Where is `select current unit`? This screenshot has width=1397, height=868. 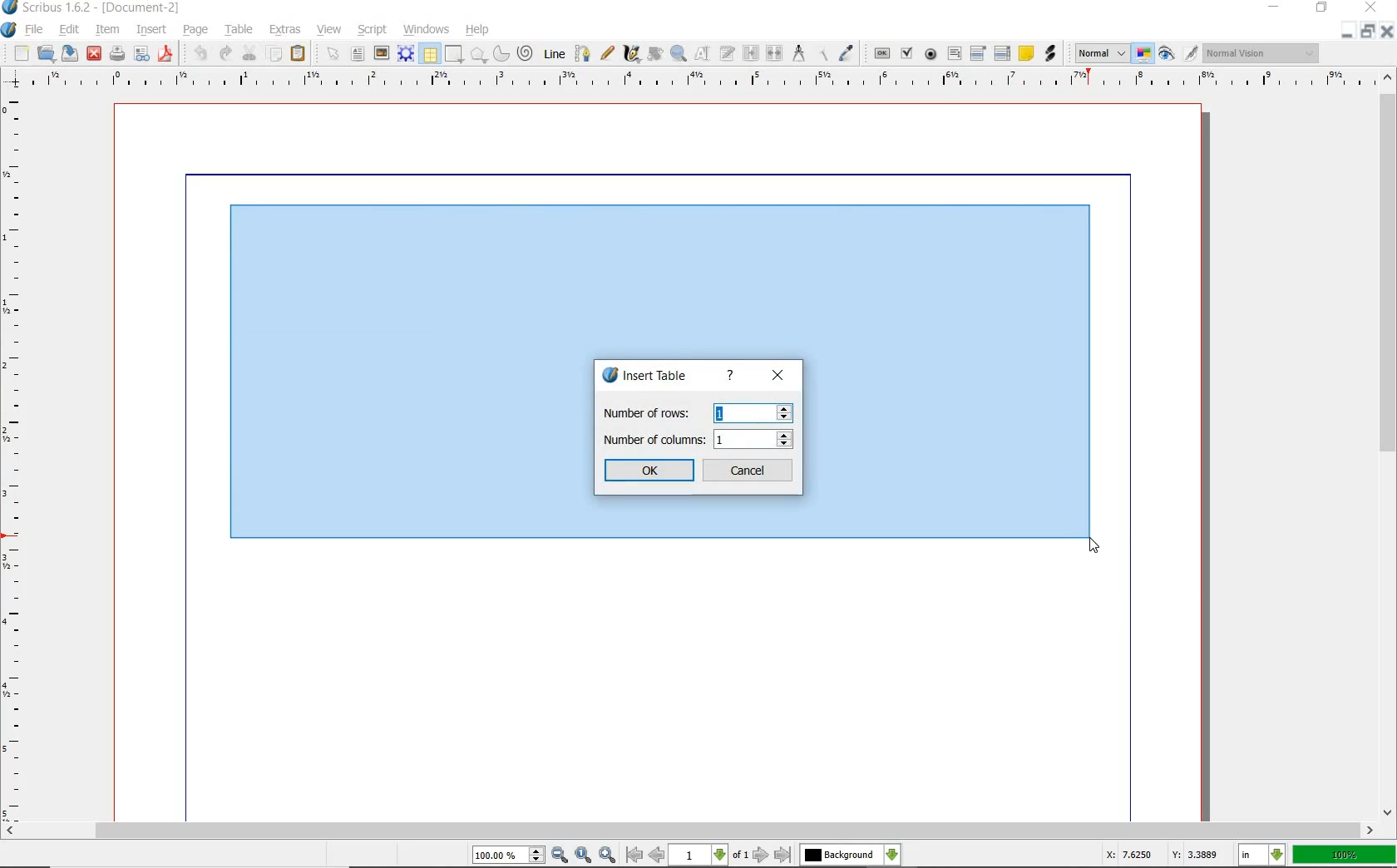
select current unit is located at coordinates (1264, 856).